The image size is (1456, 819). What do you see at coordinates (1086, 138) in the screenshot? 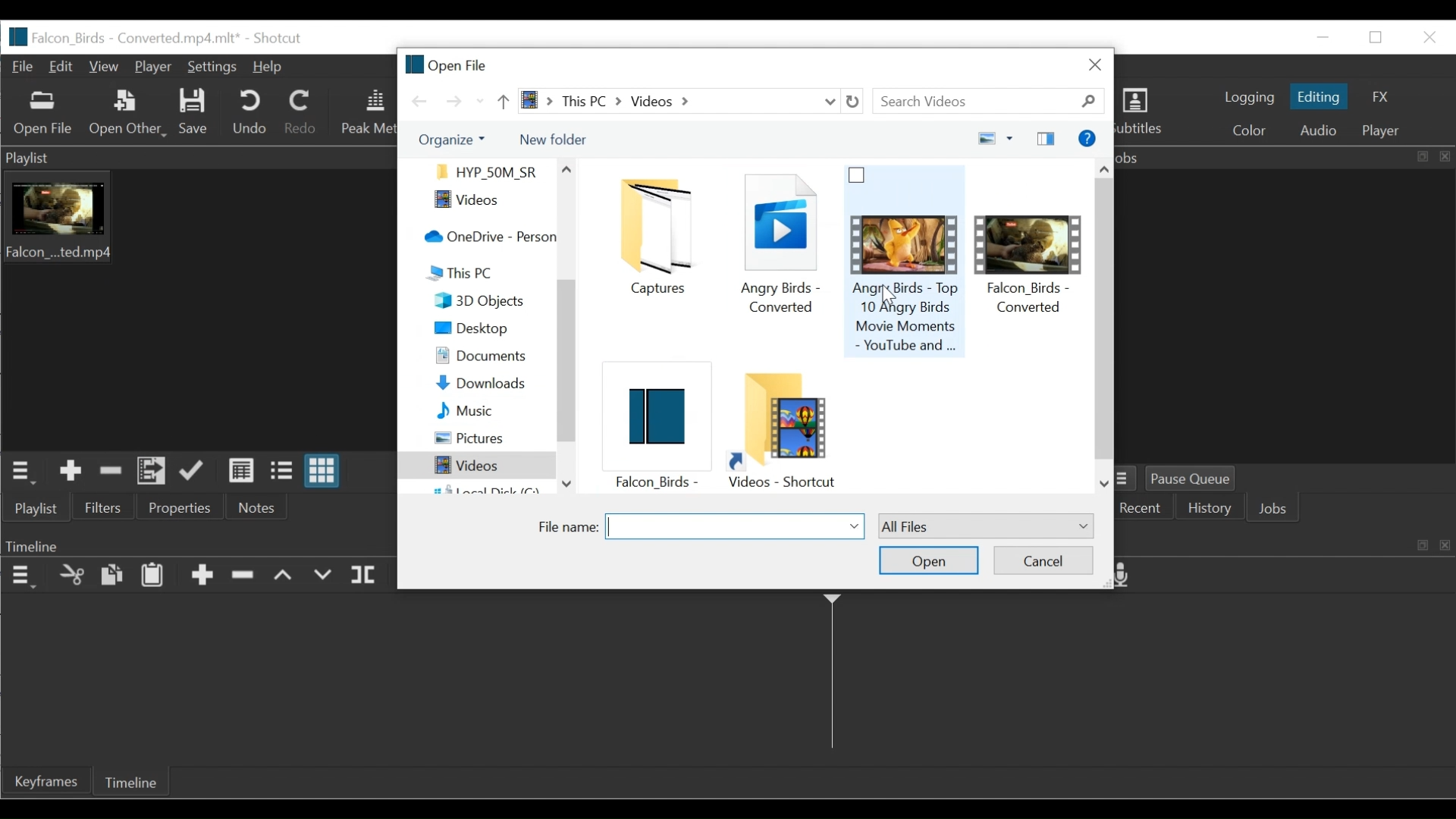
I see `Get help` at bounding box center [1086, 138].